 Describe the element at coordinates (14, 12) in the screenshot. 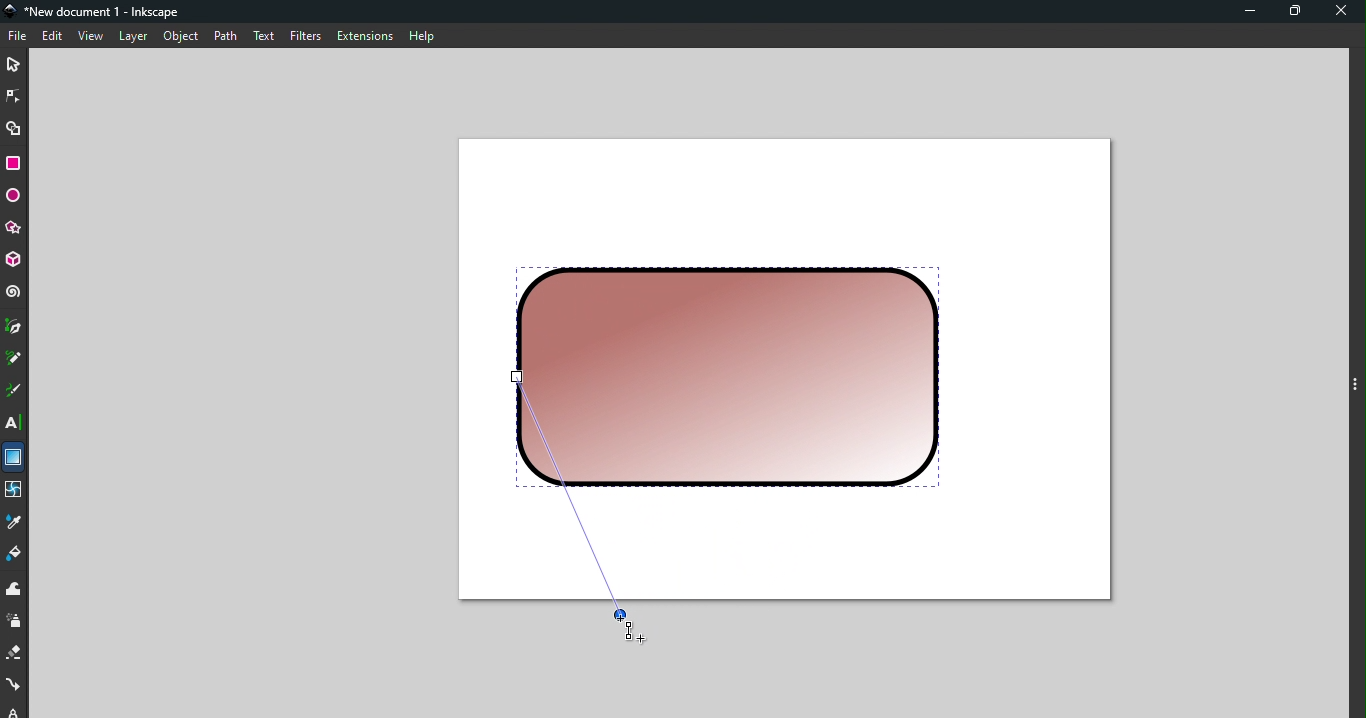

I see `logo` at that location.